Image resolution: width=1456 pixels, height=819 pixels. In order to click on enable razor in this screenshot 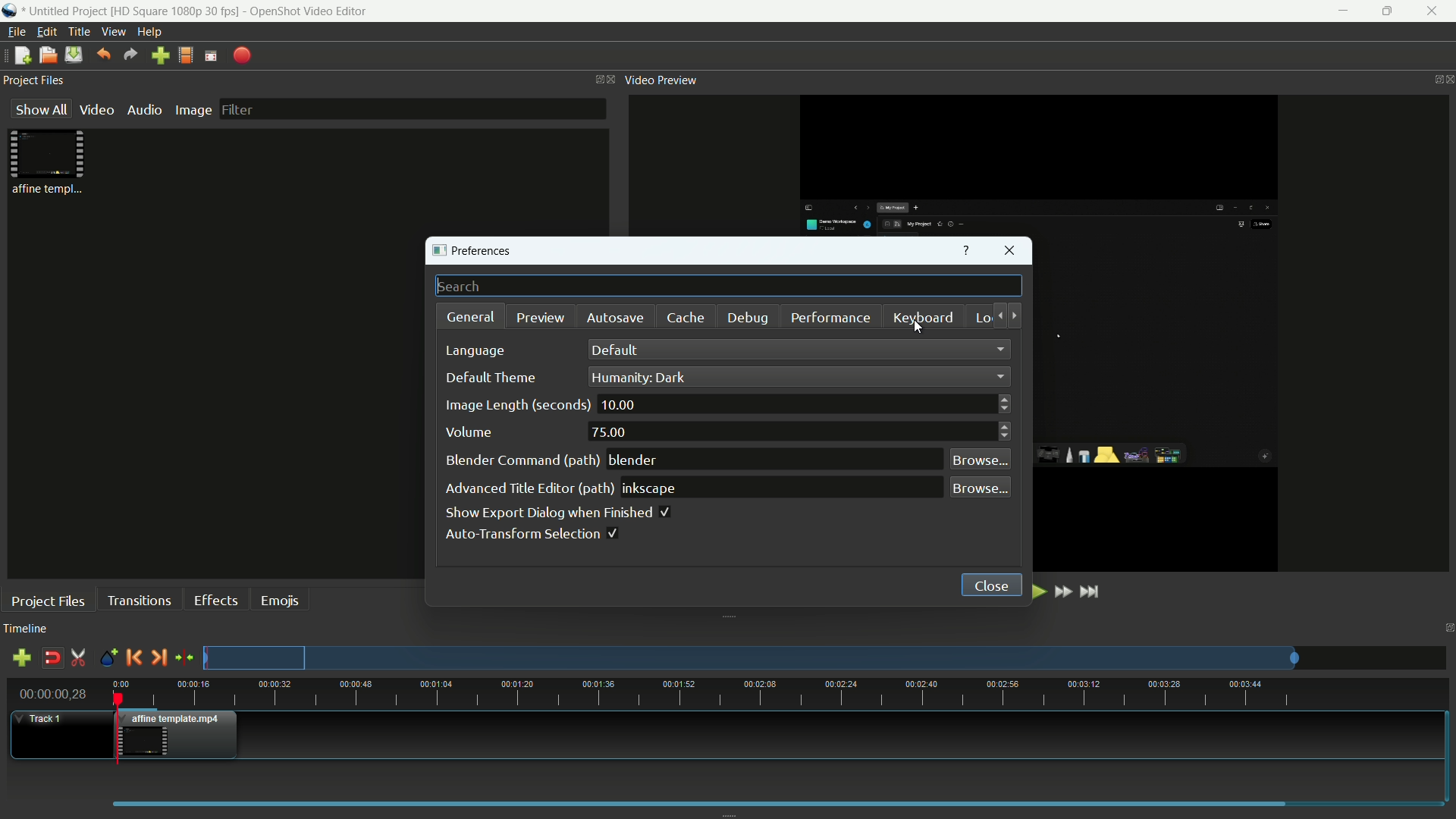, I will do `click(78, 658)`.